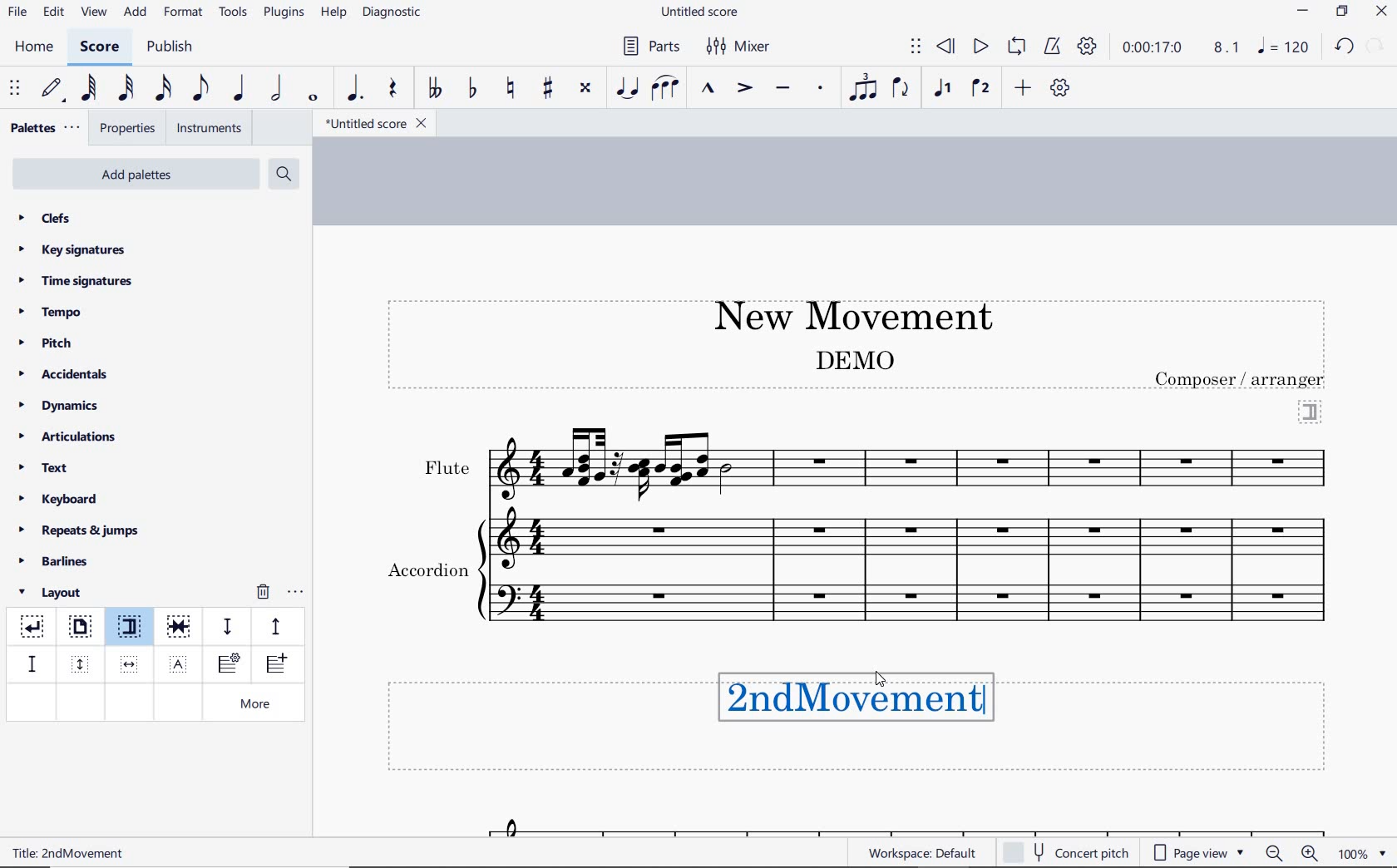  What do you see at coordinates (180, 627) in the screenshot?
I see `keep measure on the same system` at bounding box center [180, 627].